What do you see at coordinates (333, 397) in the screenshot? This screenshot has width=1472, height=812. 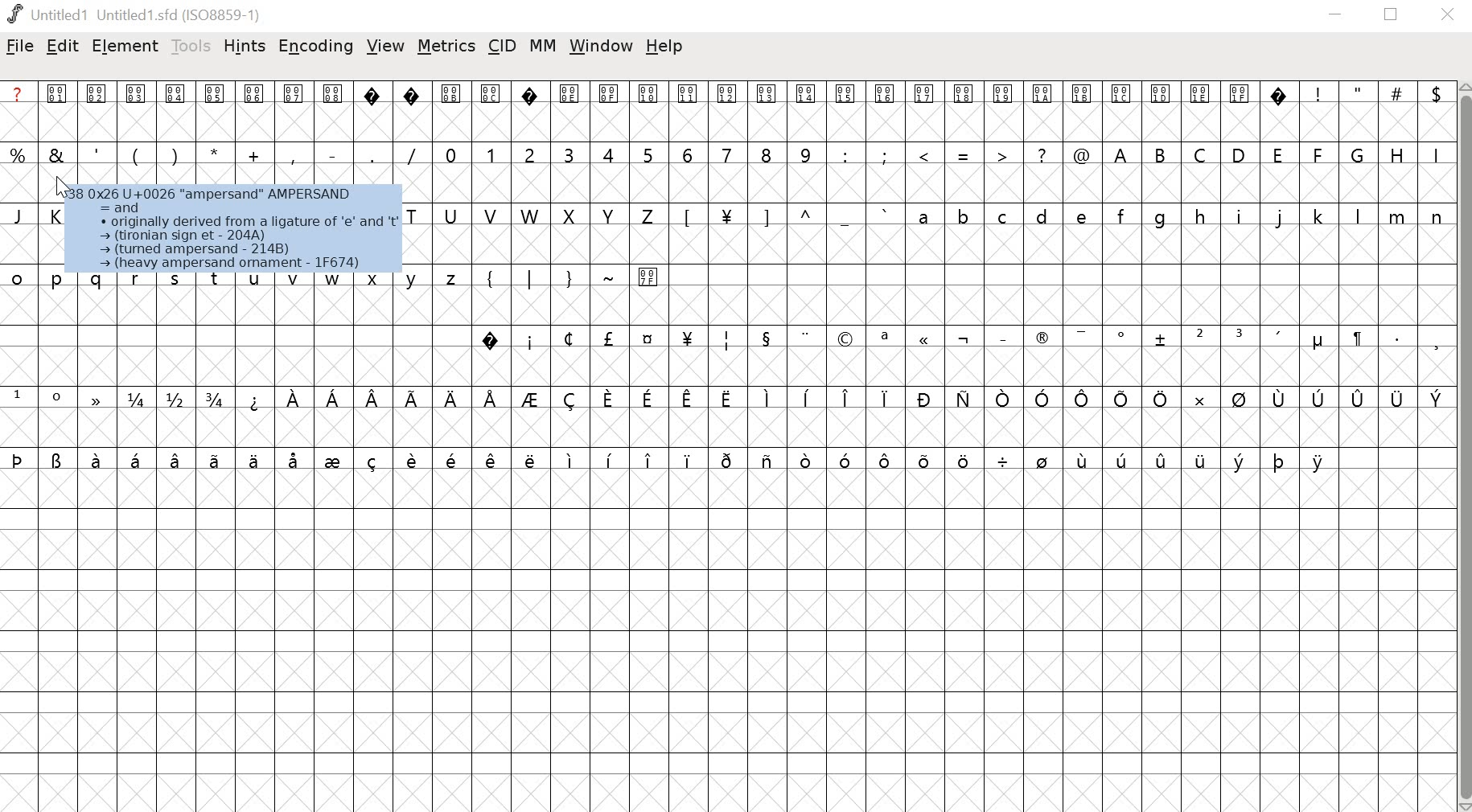 I see `symbol` at bounding box center [333, 397].